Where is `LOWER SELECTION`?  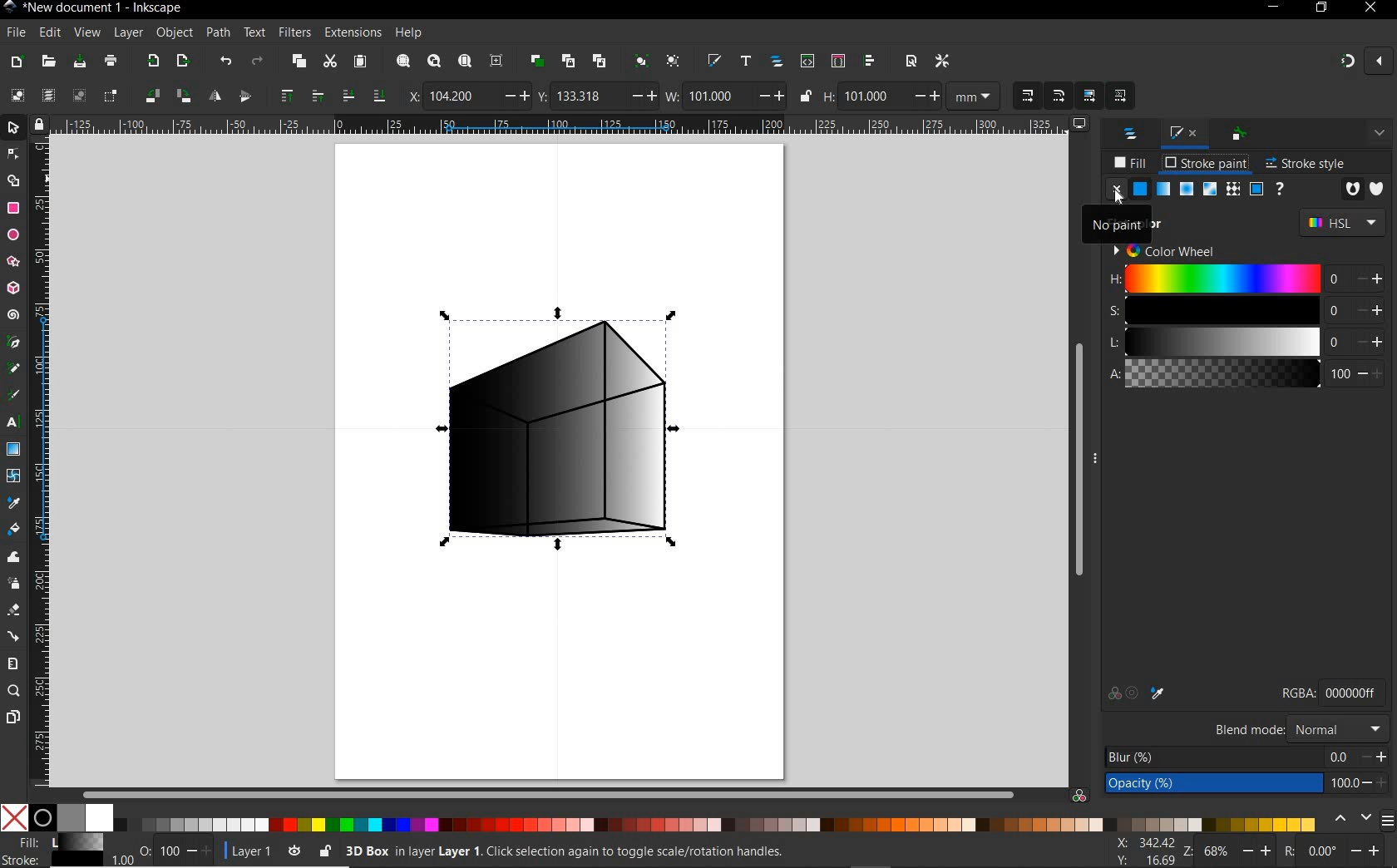
LOWER SELECTION is located at coordinates (378, 95).